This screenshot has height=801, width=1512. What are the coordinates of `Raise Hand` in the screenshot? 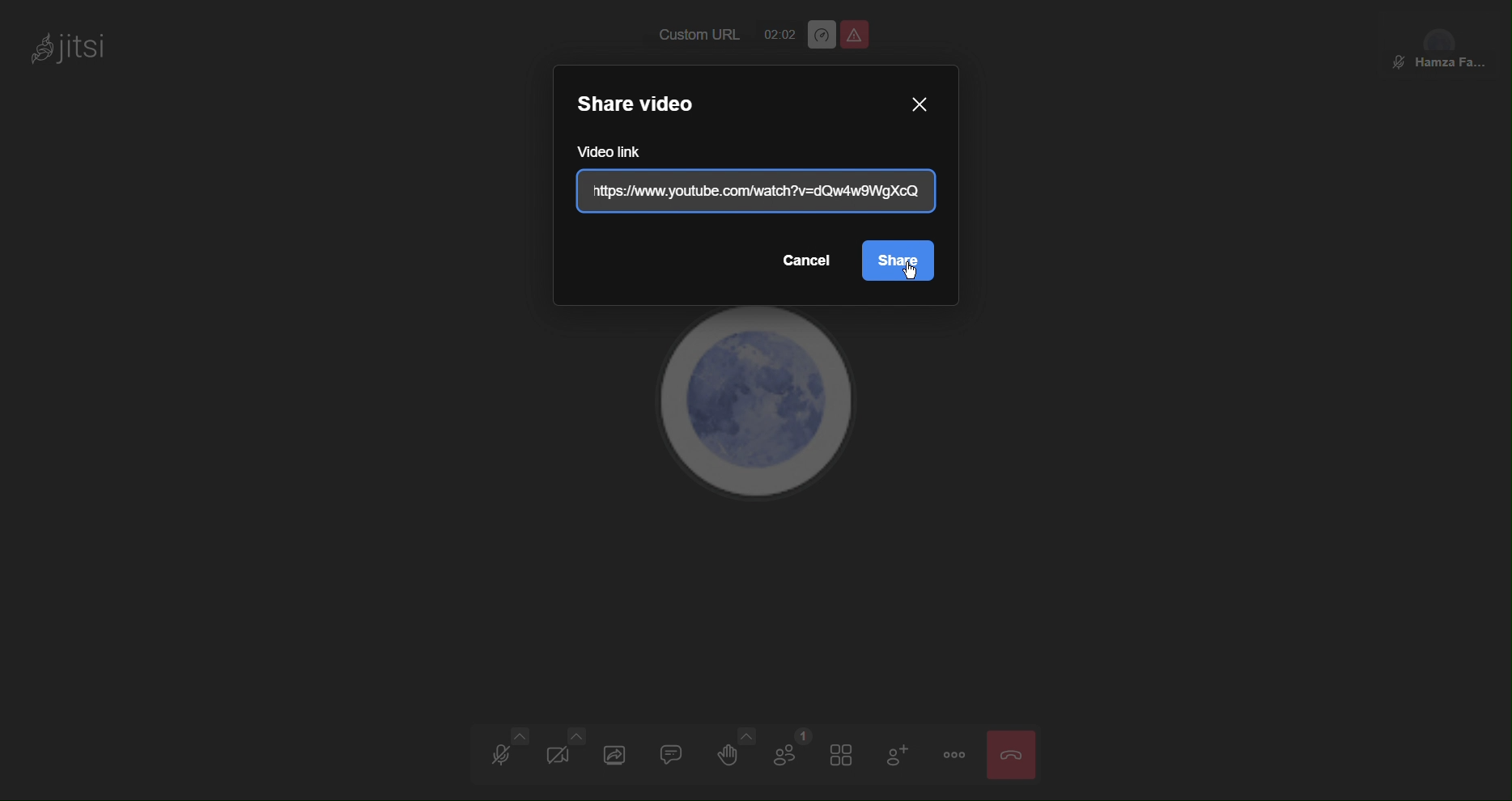 It's located at (733, 757).